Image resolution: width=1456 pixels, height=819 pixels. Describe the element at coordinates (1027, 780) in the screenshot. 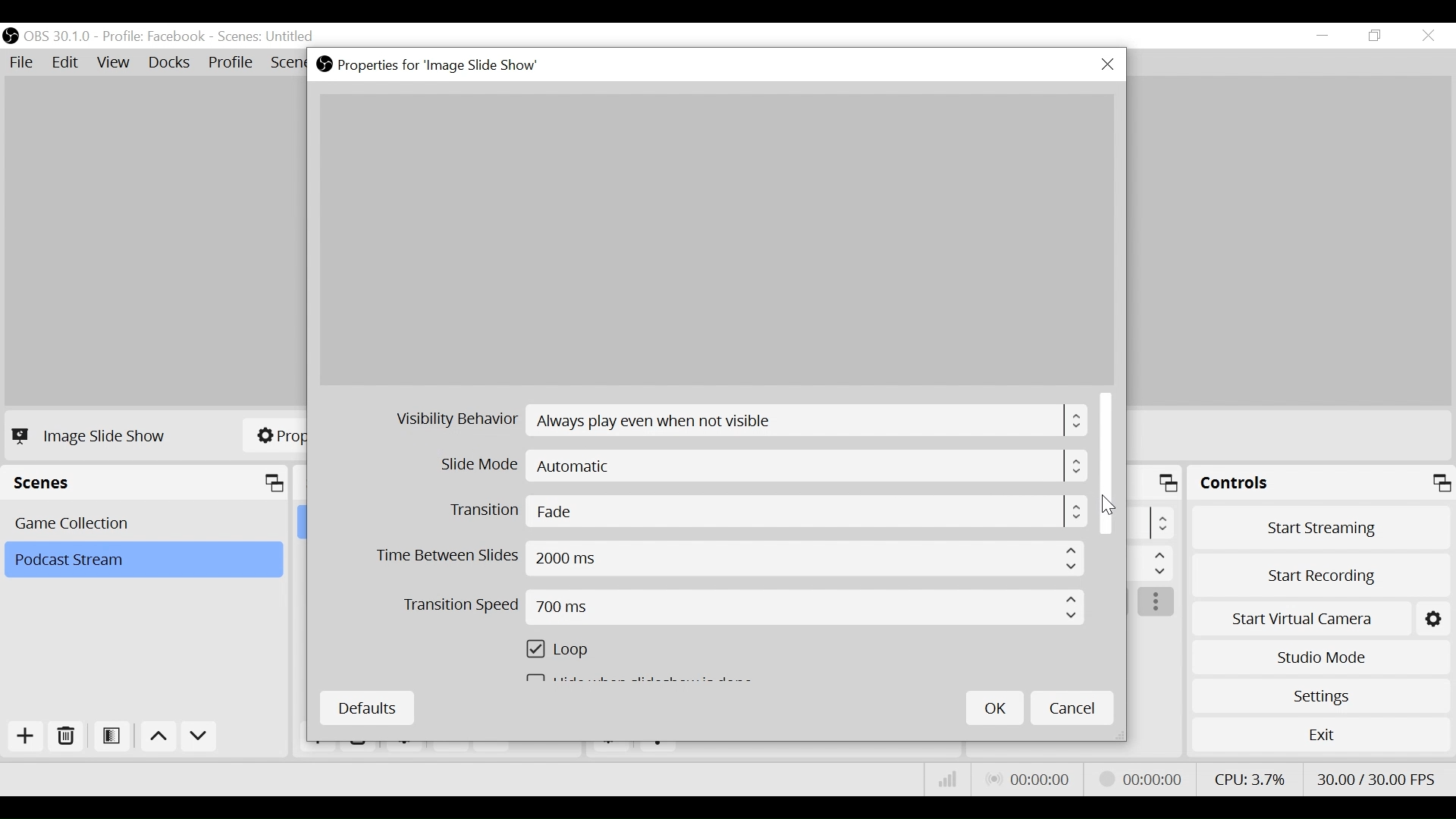

I see `Live Status` at that location.